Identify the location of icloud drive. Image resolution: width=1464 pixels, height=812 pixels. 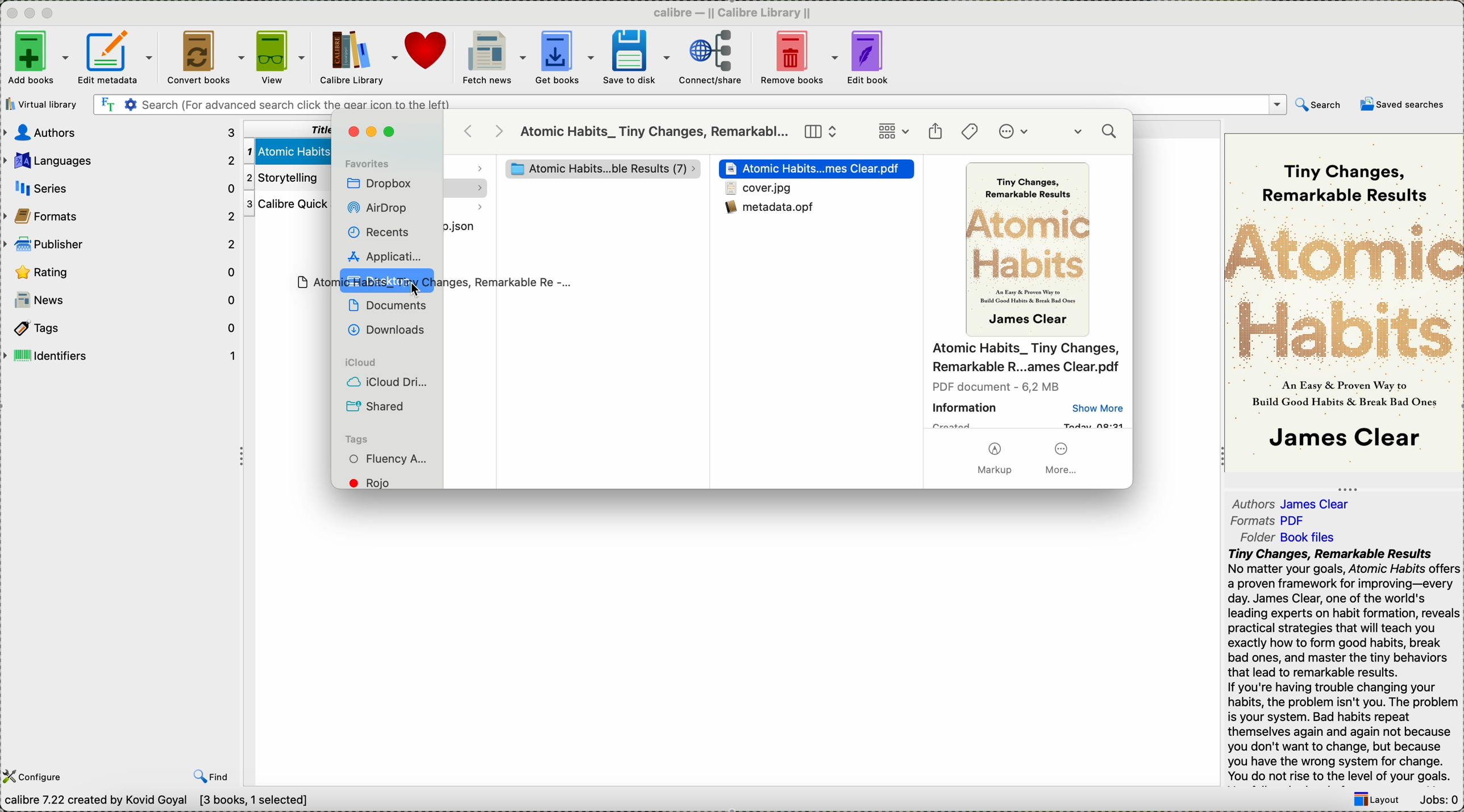
(388, 384).